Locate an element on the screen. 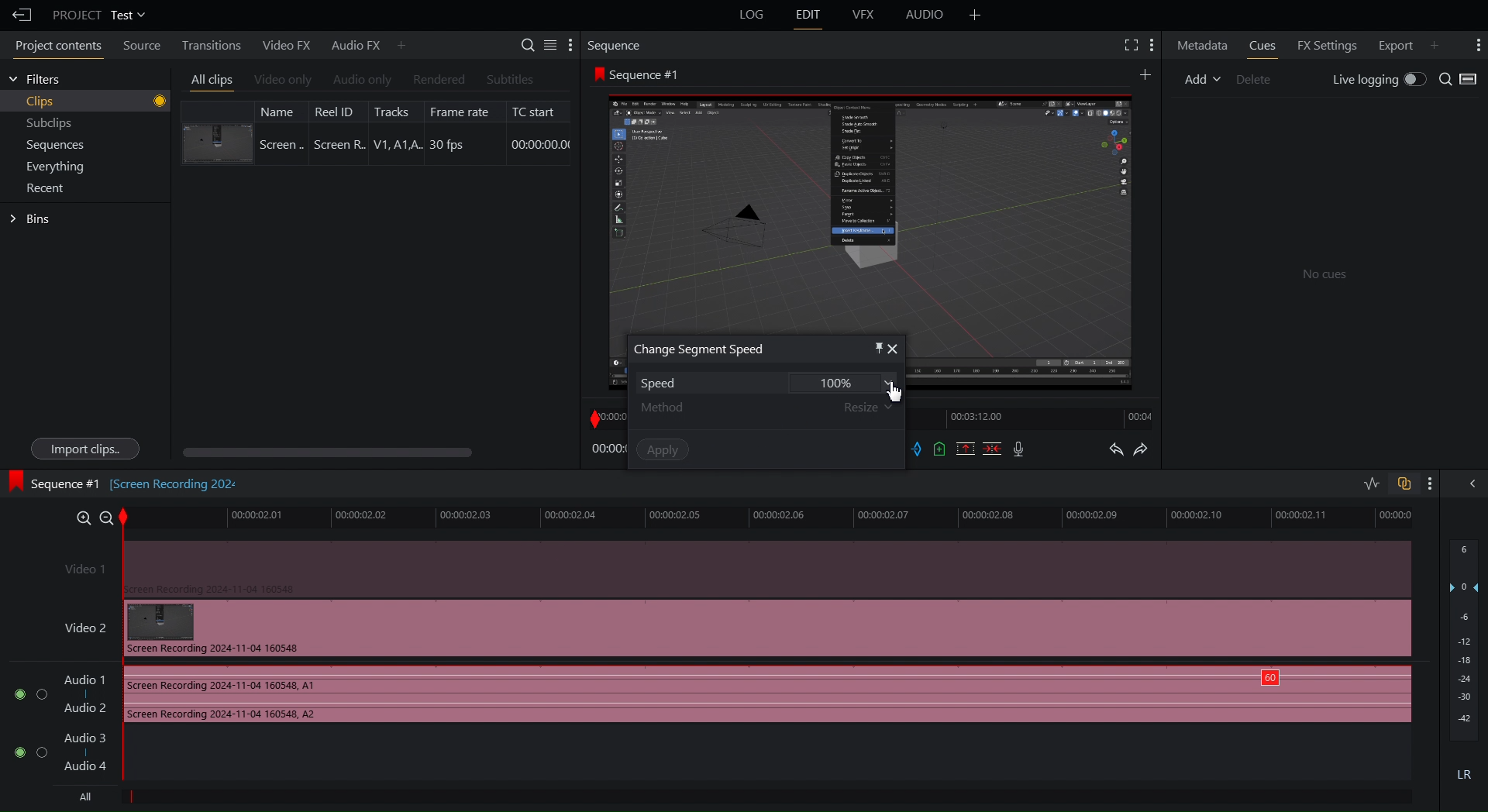  Cues is located at coordinates (1265, 45).